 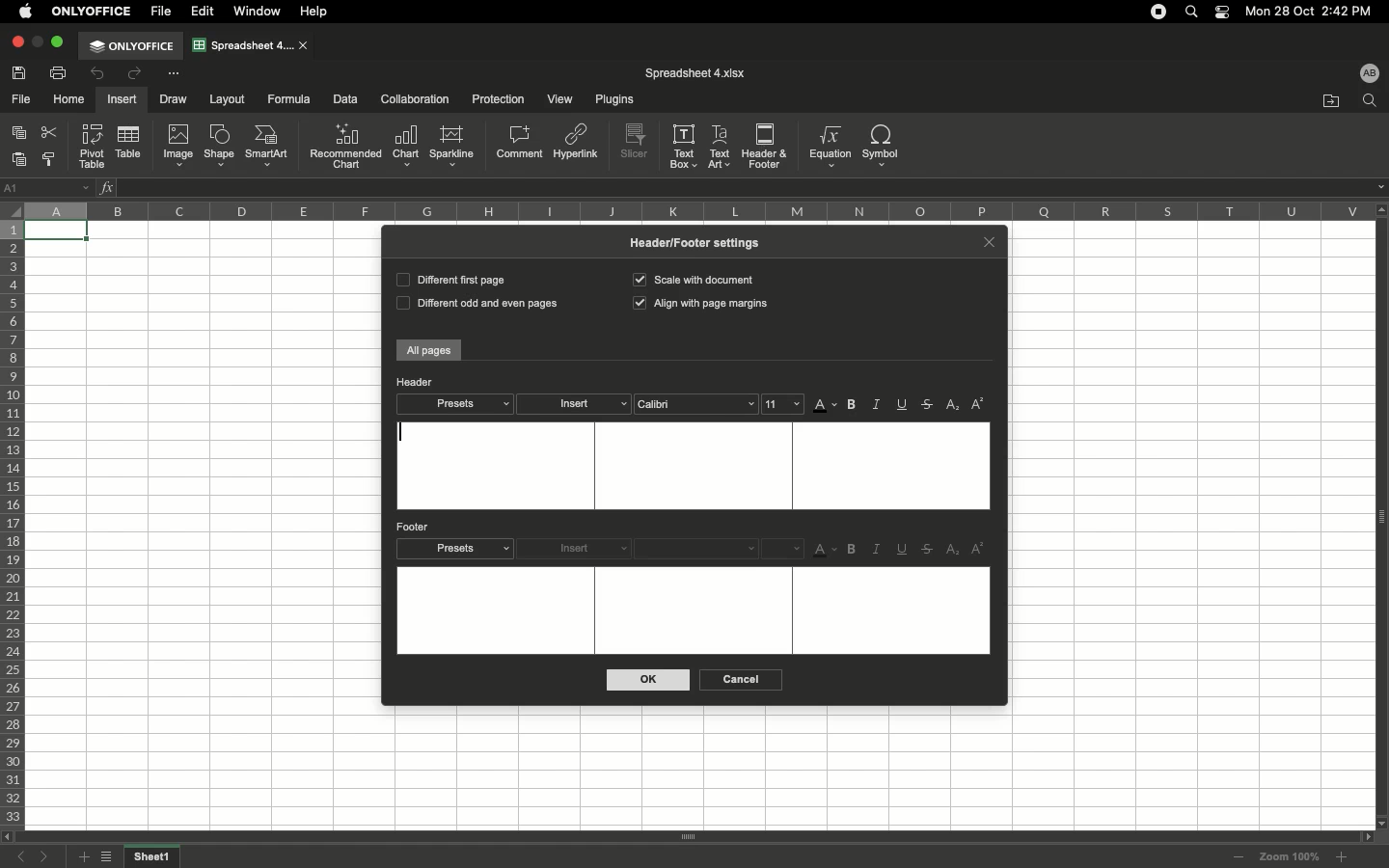 I want to click on Underline, so click(x=904, y=551).